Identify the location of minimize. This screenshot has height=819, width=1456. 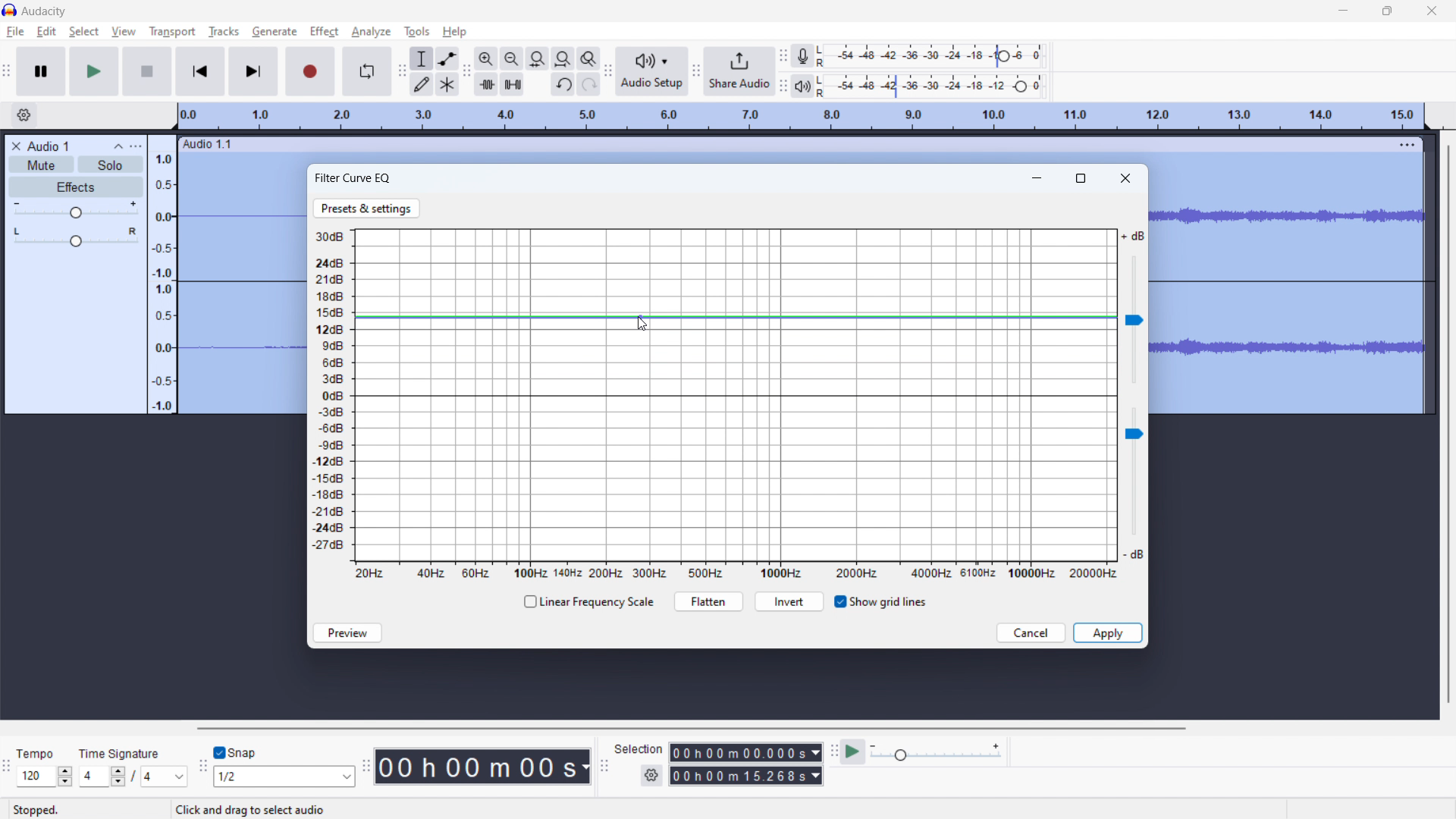
(1344, 10).